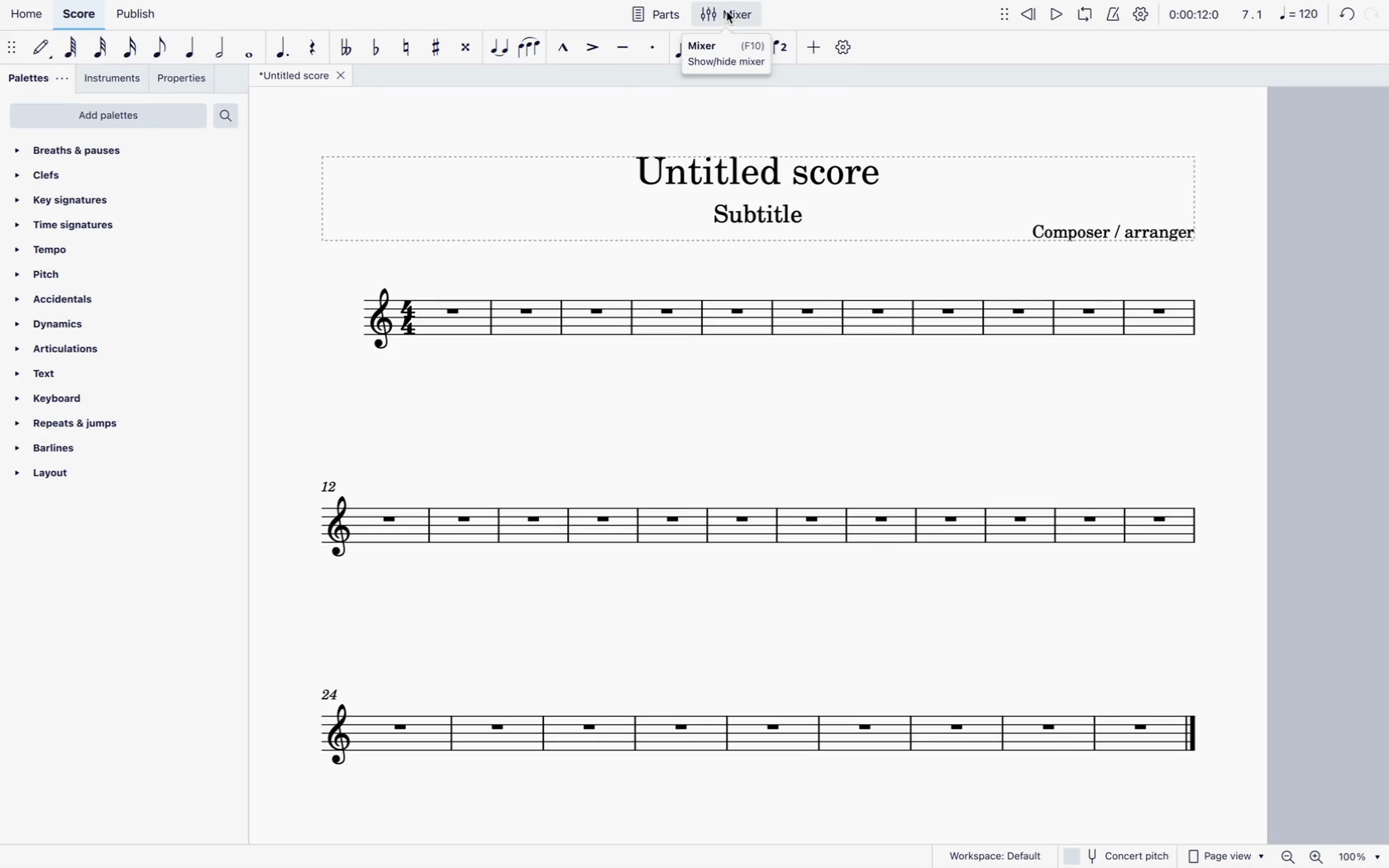  What do you see at coordinates (87, 374) in the screenshot?
I see `text` at bounding box center [87, 374].